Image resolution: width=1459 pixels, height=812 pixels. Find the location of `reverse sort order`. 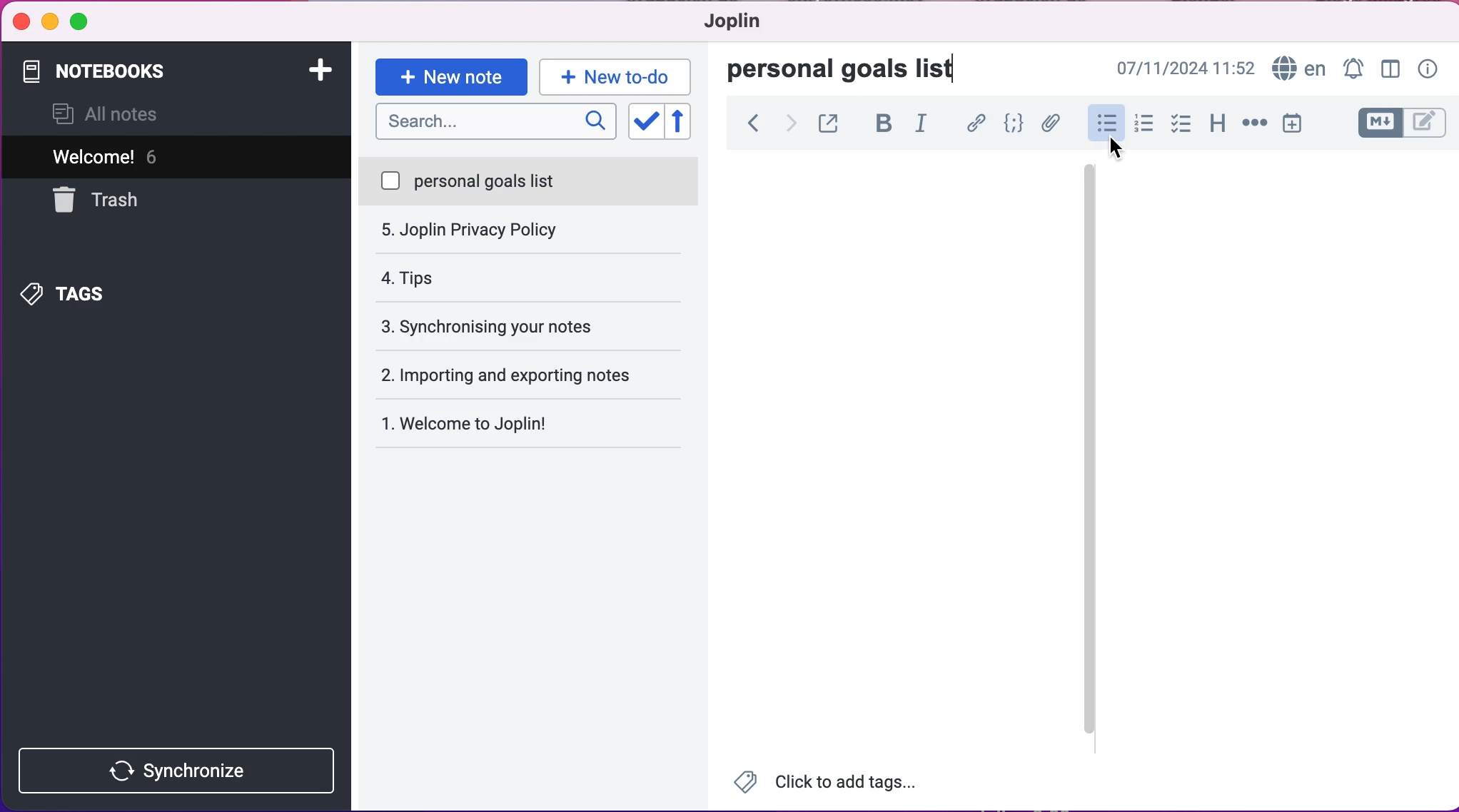

reverse sort order is located at coordinates (687, 122).